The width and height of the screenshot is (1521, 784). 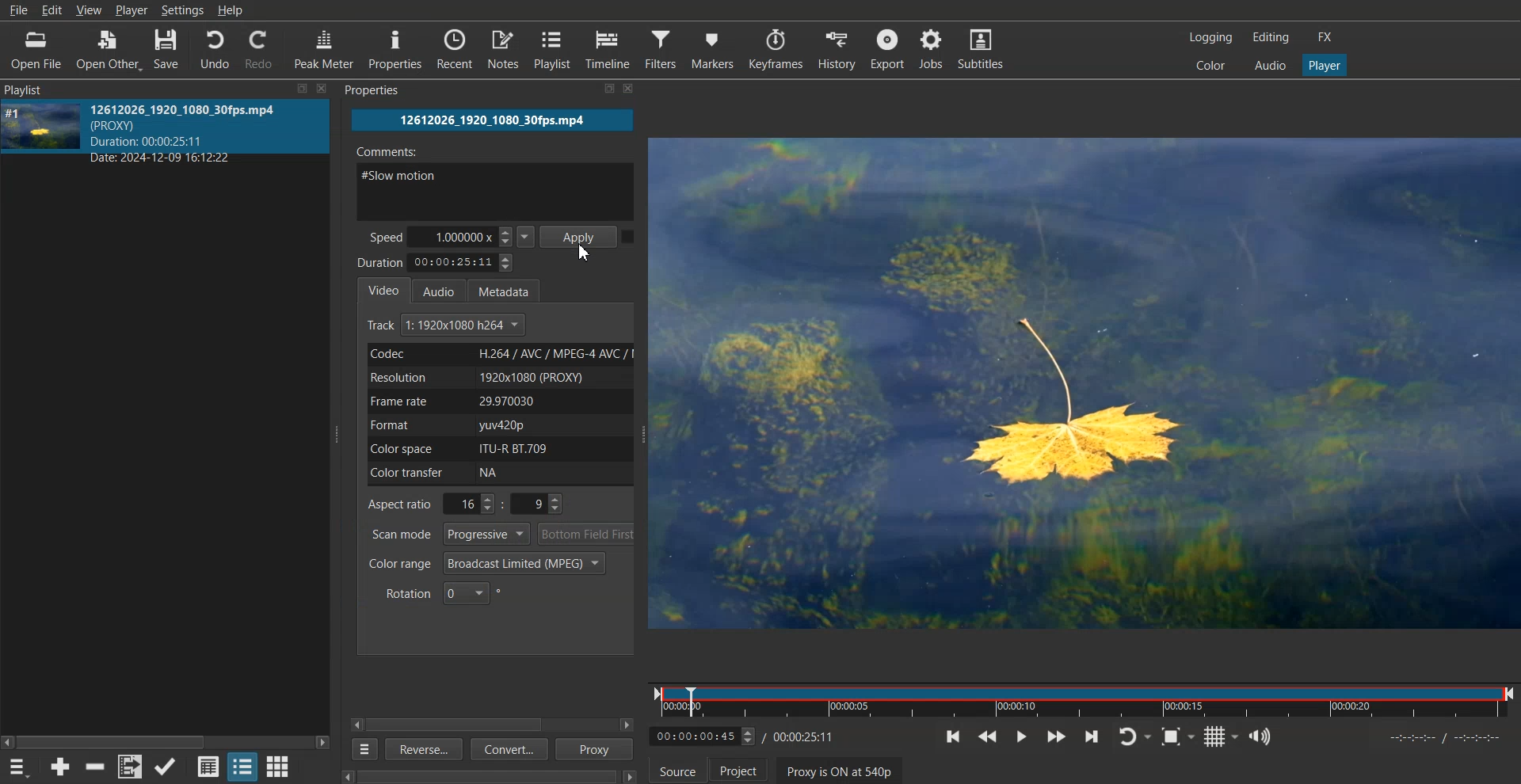 I want to click on Codec, so click(x=497, y=354).